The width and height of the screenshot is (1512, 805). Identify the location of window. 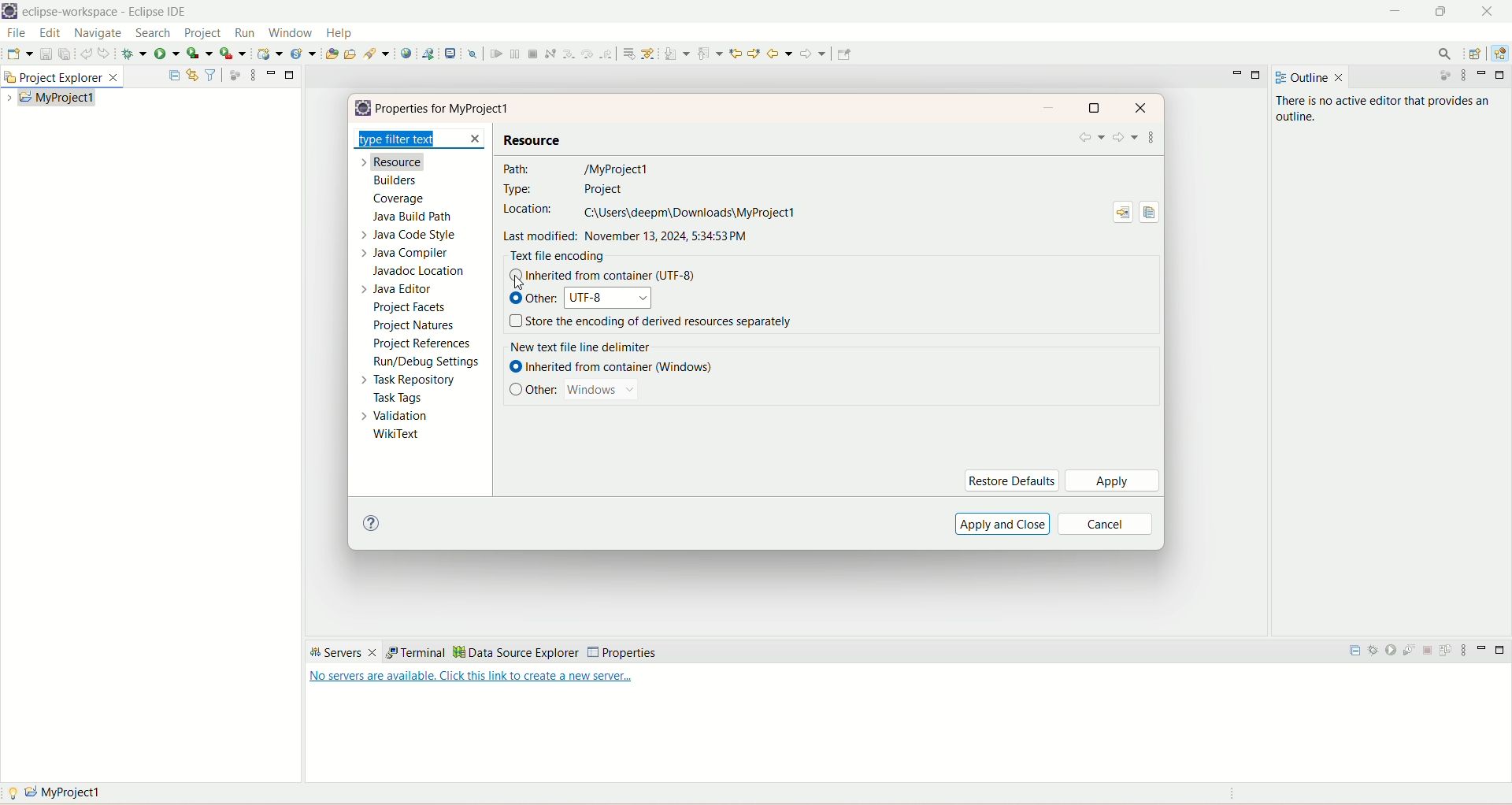
(292, 32).